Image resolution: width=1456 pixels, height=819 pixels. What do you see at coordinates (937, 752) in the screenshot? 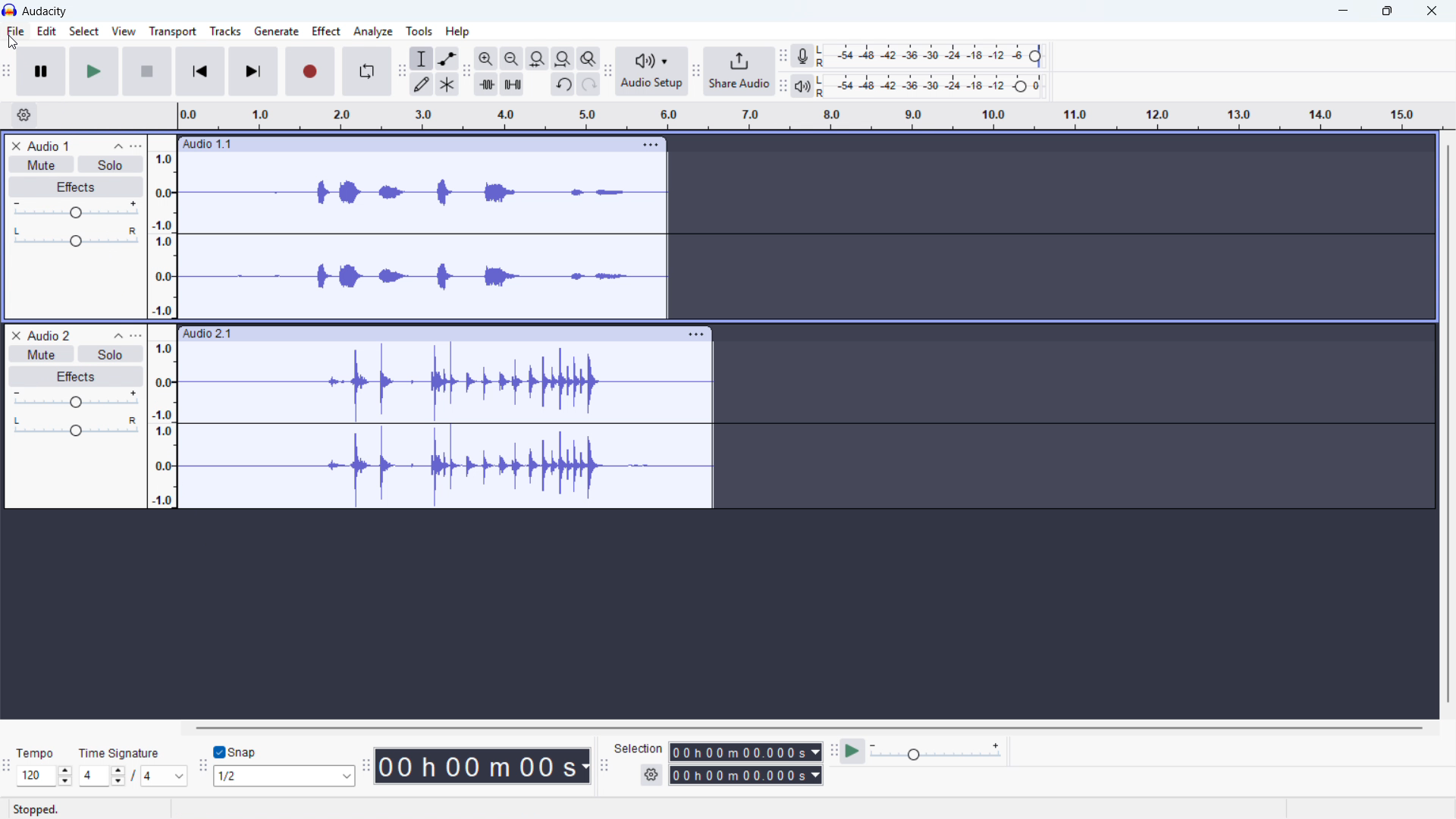
I see `Playback speed` at bounding box center [937, 752].